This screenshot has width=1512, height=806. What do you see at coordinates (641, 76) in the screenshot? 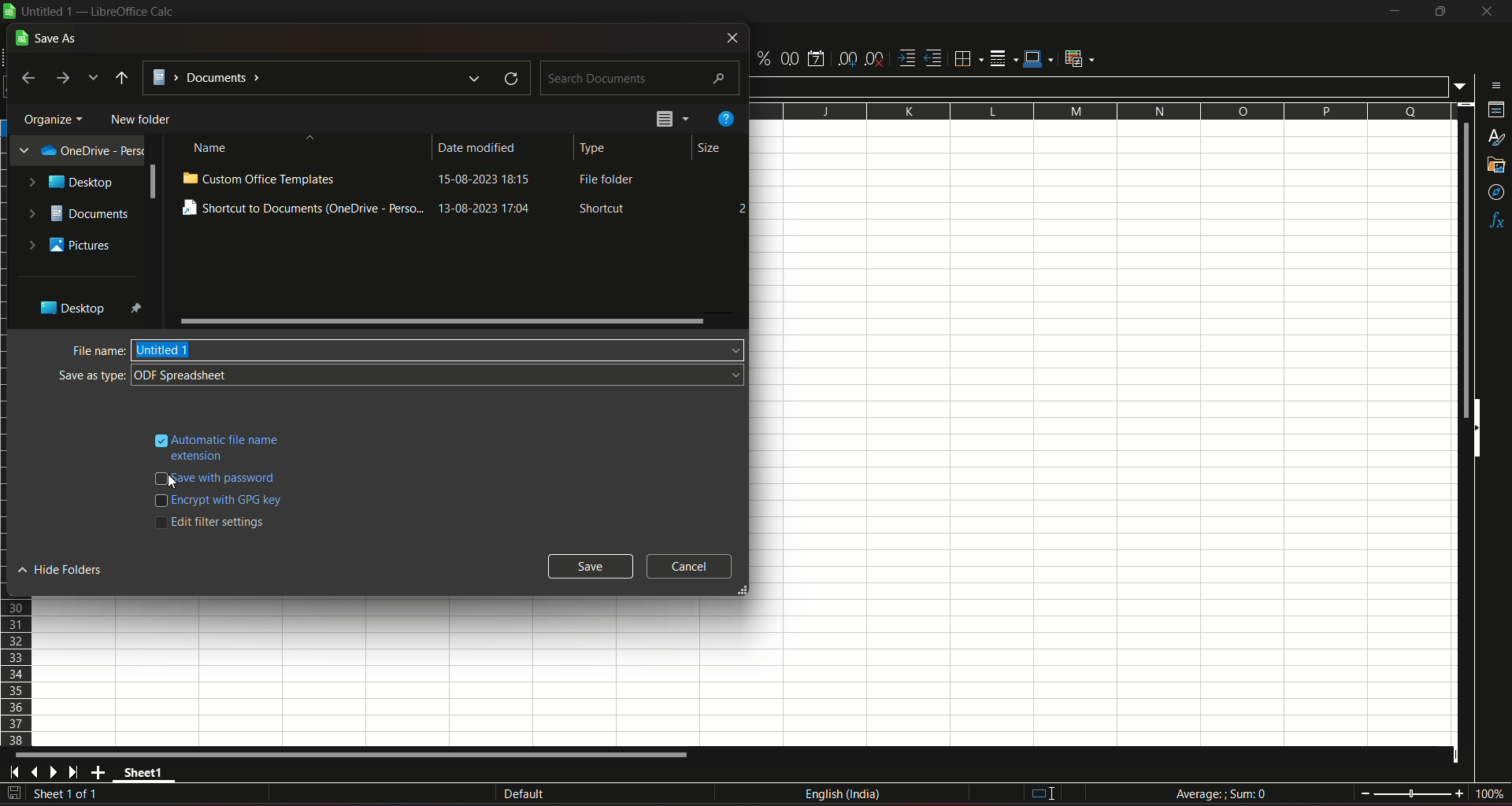
I see `search bar` at bounding box center [641, 76].